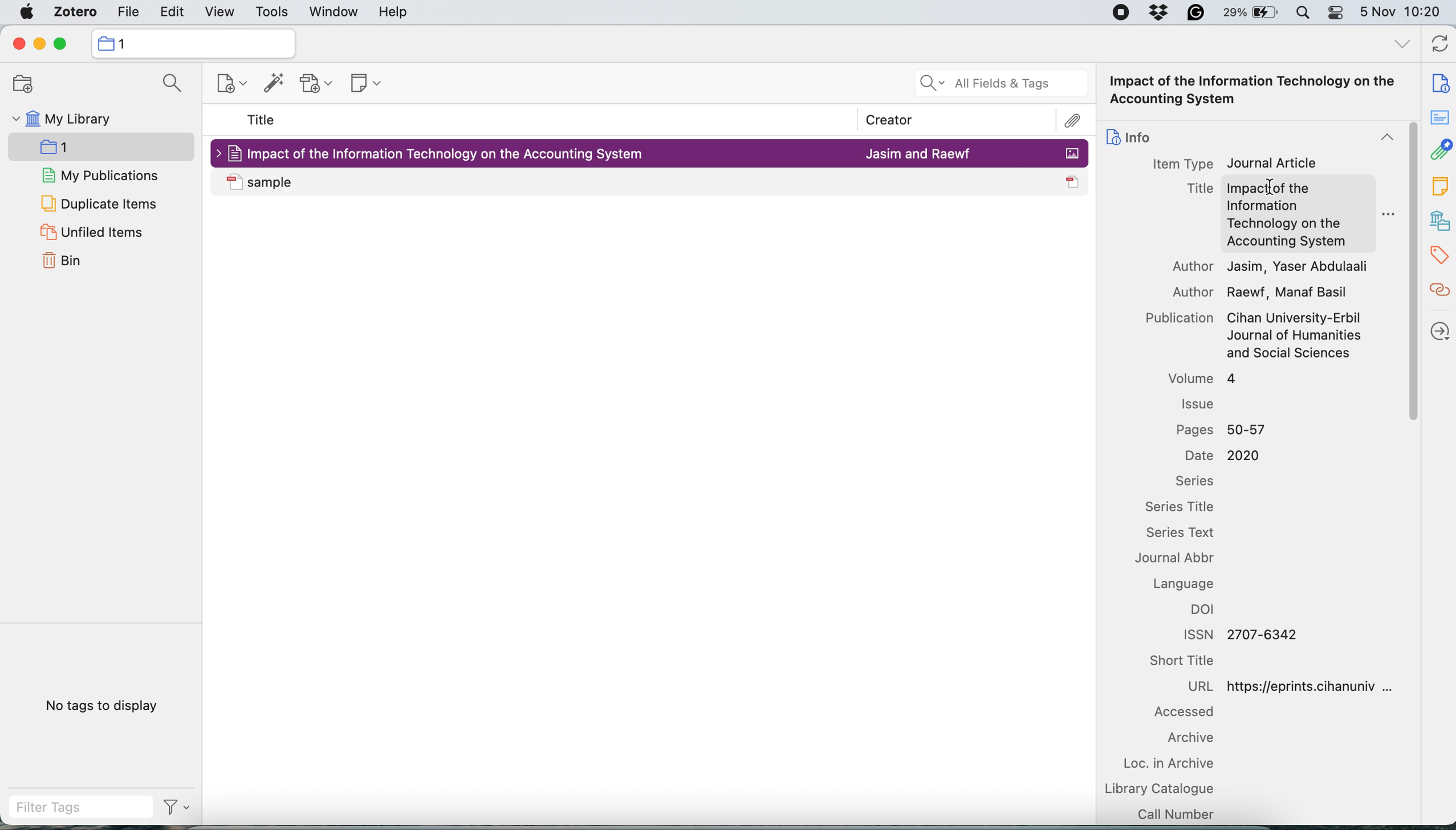 The width and height of the screenshot is (1456, 830). What do you see at coordinates (1198, 404) in the screenshot?
I see `issue` at bounding box center [1198, 404].